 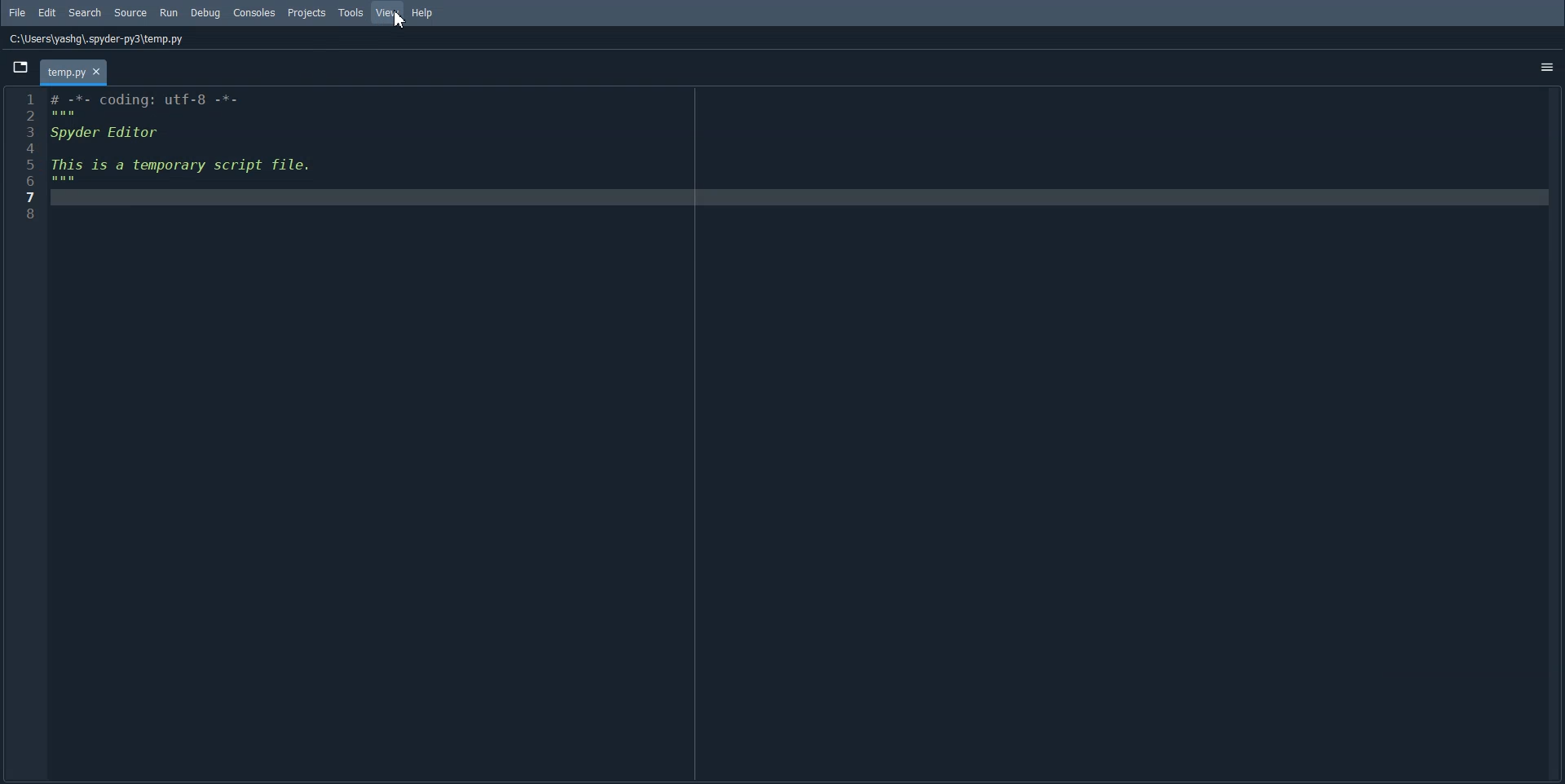 What do you see at coordinates (131, 13) in the screenshot?
I see `Source` at bounding box center [131, 13].